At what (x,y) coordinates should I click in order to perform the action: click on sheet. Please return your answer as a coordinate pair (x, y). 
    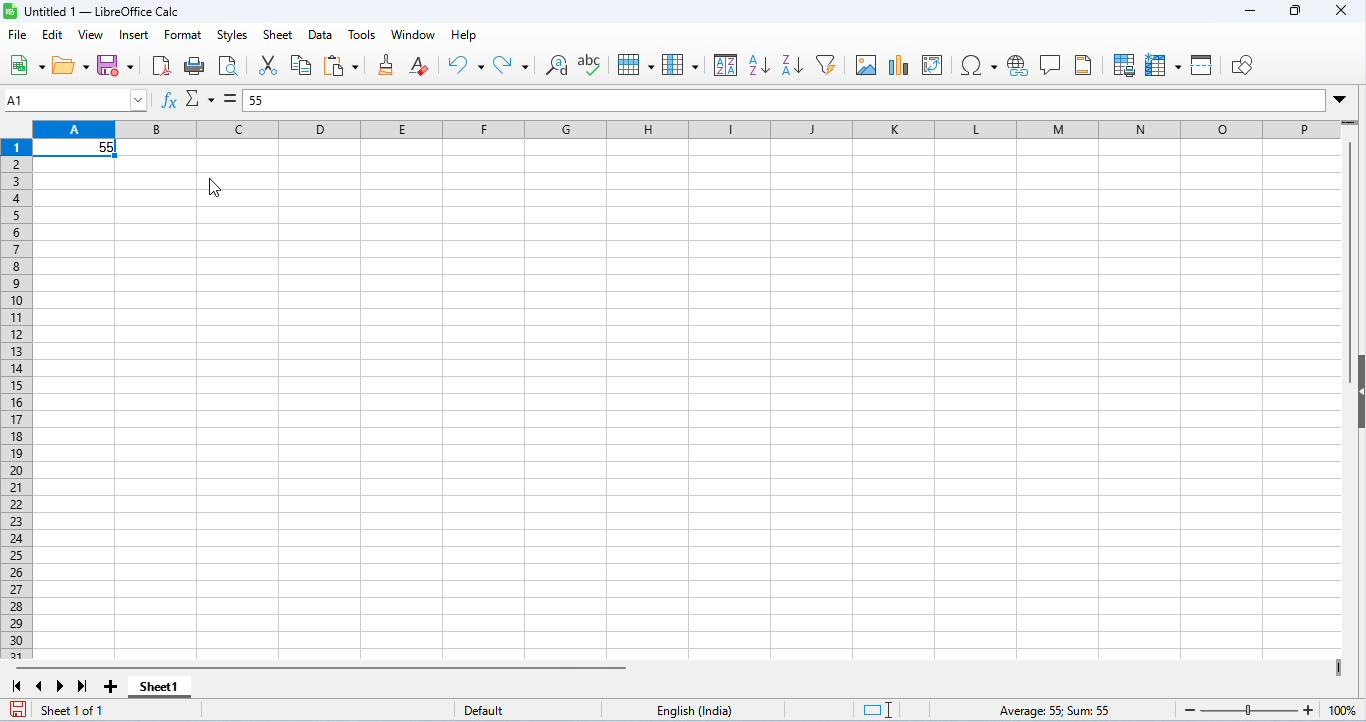
    Looking at the image, I should click on (280, 33).